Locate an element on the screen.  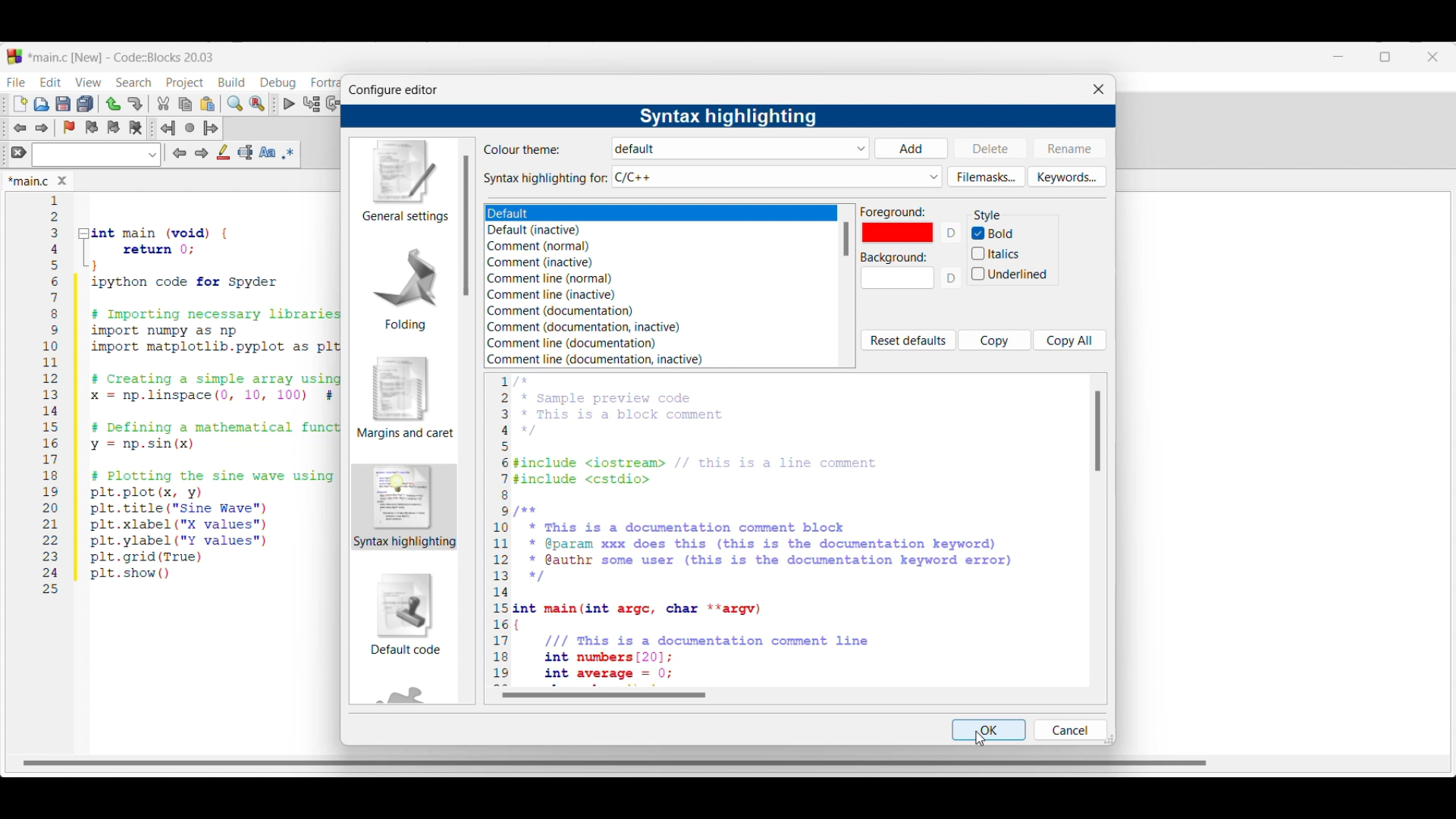
Rename is located at coordinates (1069, 148).